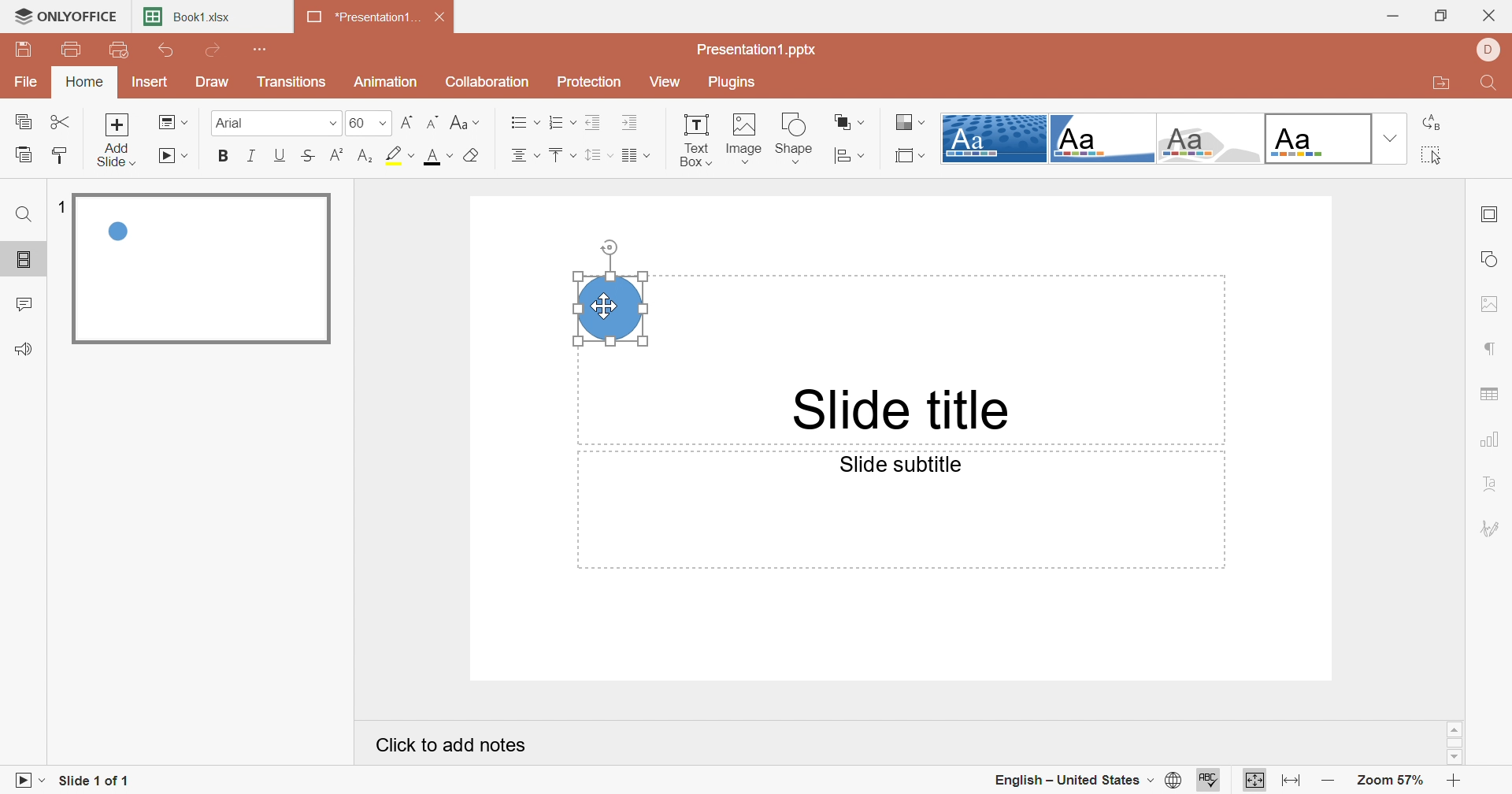 The width and height of the screenshot is (1512, 794). I want to click on Horizontal align, so click(524, 121).